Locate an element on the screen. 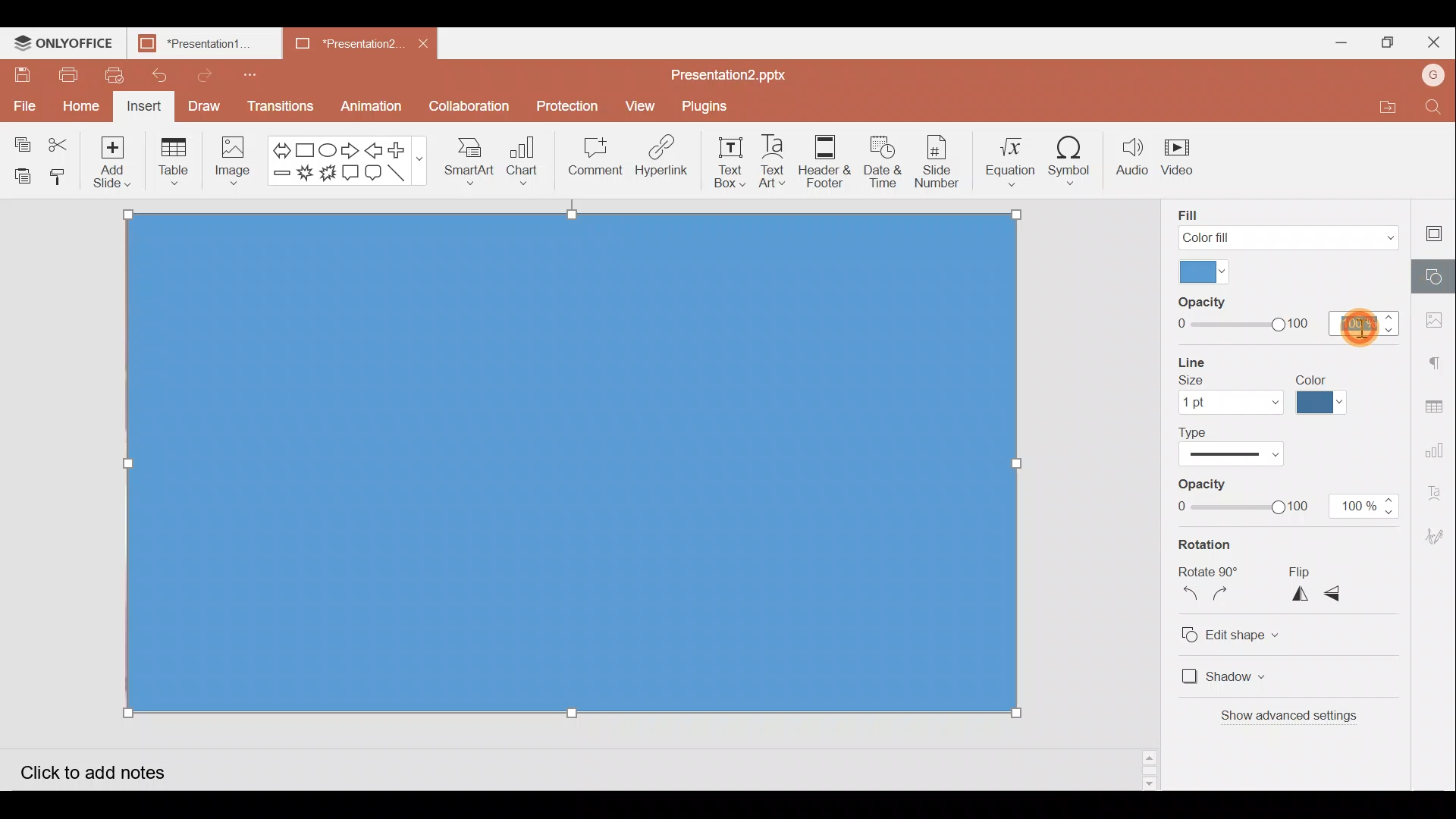 The width and height of the screenshot is (1456, 819). Save is located at coordinates (24, 74).